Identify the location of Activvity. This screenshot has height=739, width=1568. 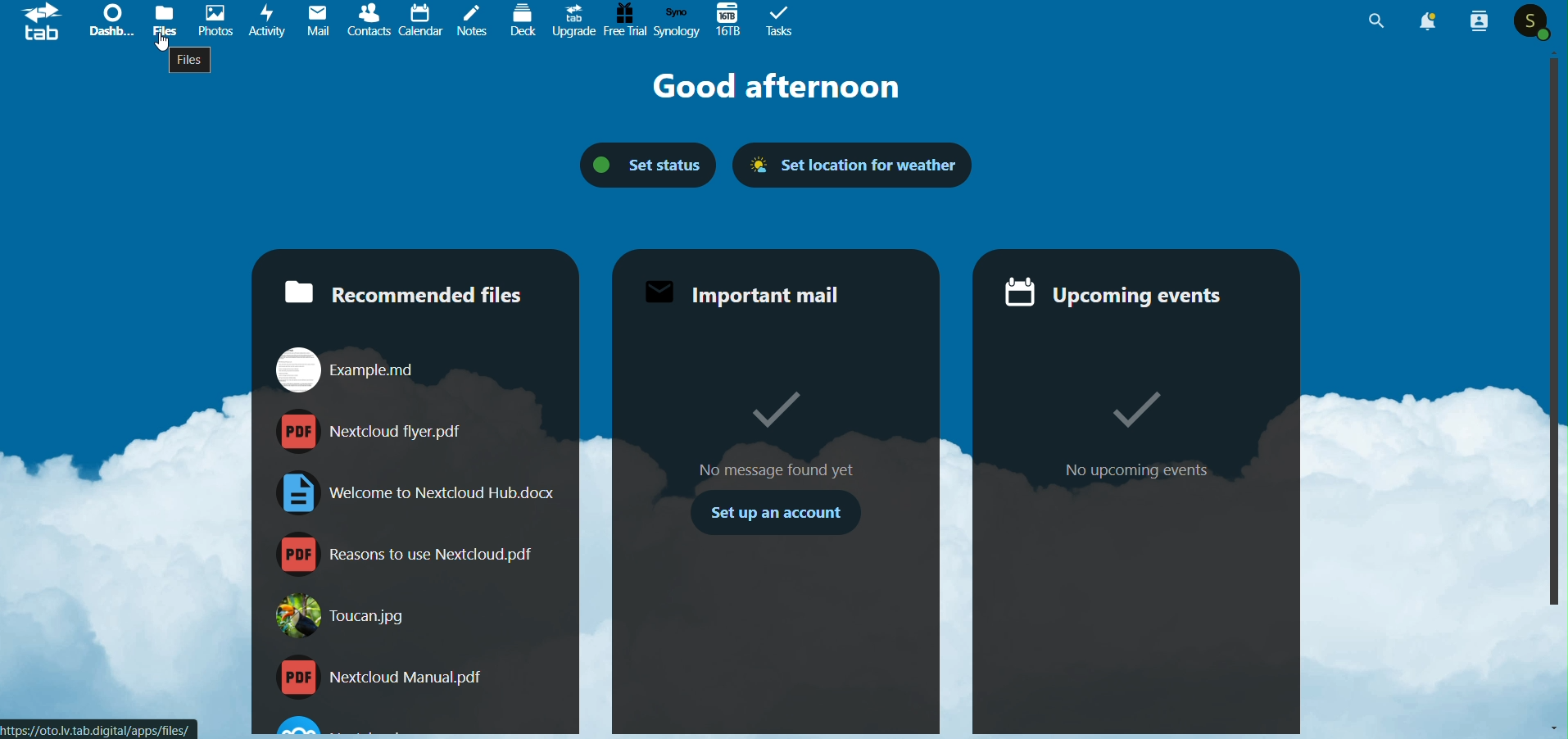
(266, 21).